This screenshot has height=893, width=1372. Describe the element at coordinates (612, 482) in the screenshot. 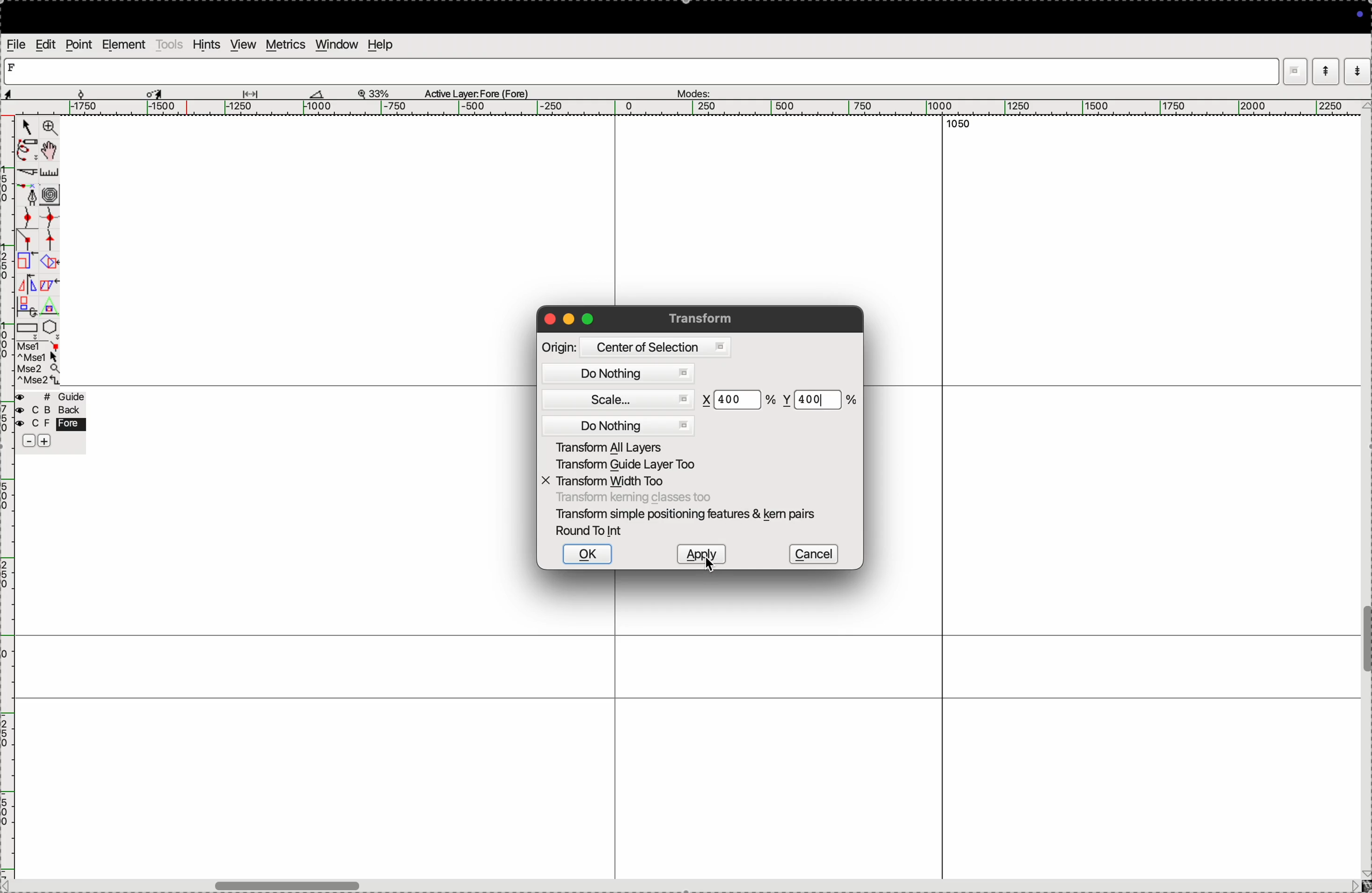

I see `transform width too` at that location.